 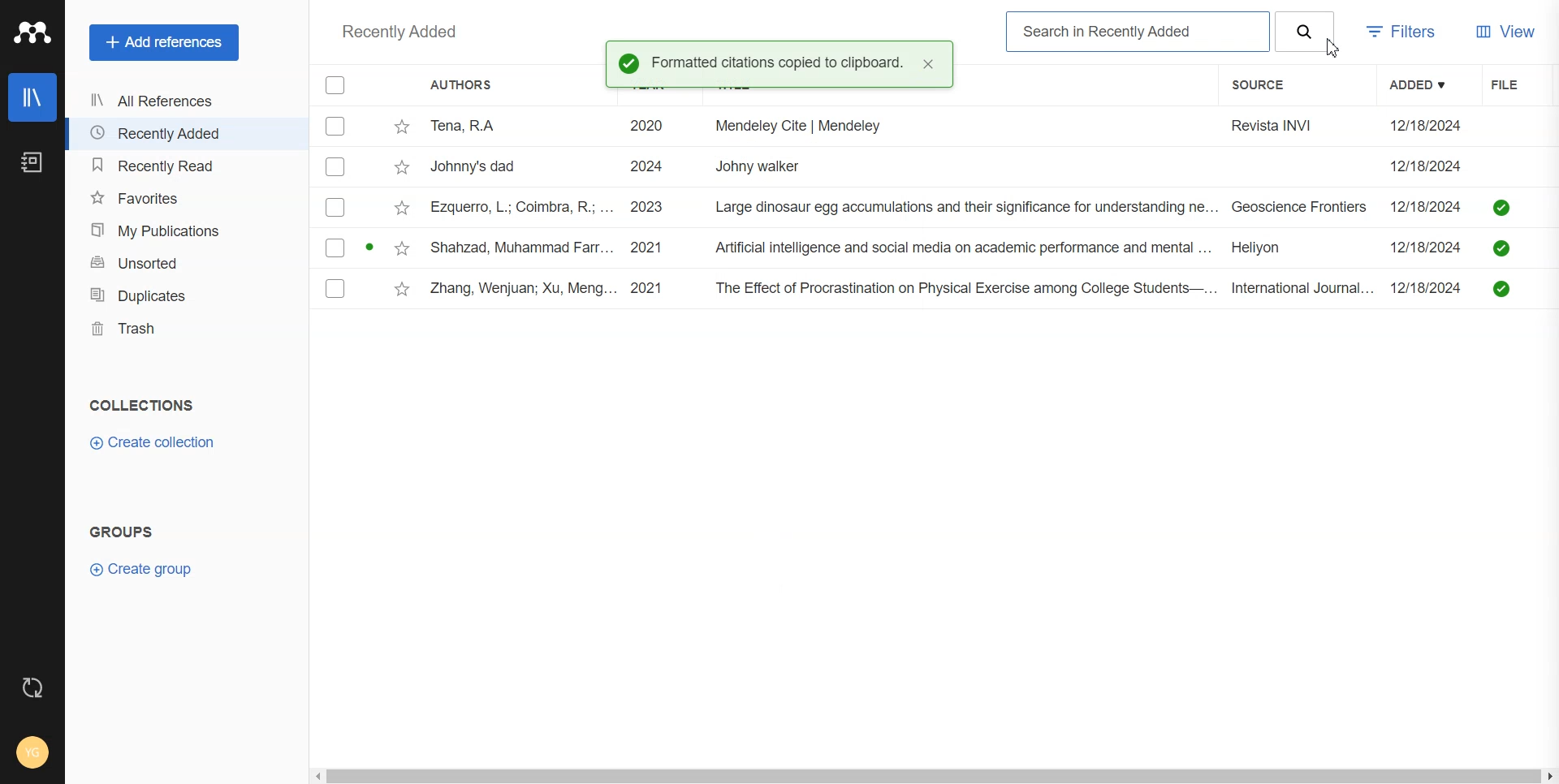 I want to click on Formatted citations copied to clipboard., so click(x=779, y=63).